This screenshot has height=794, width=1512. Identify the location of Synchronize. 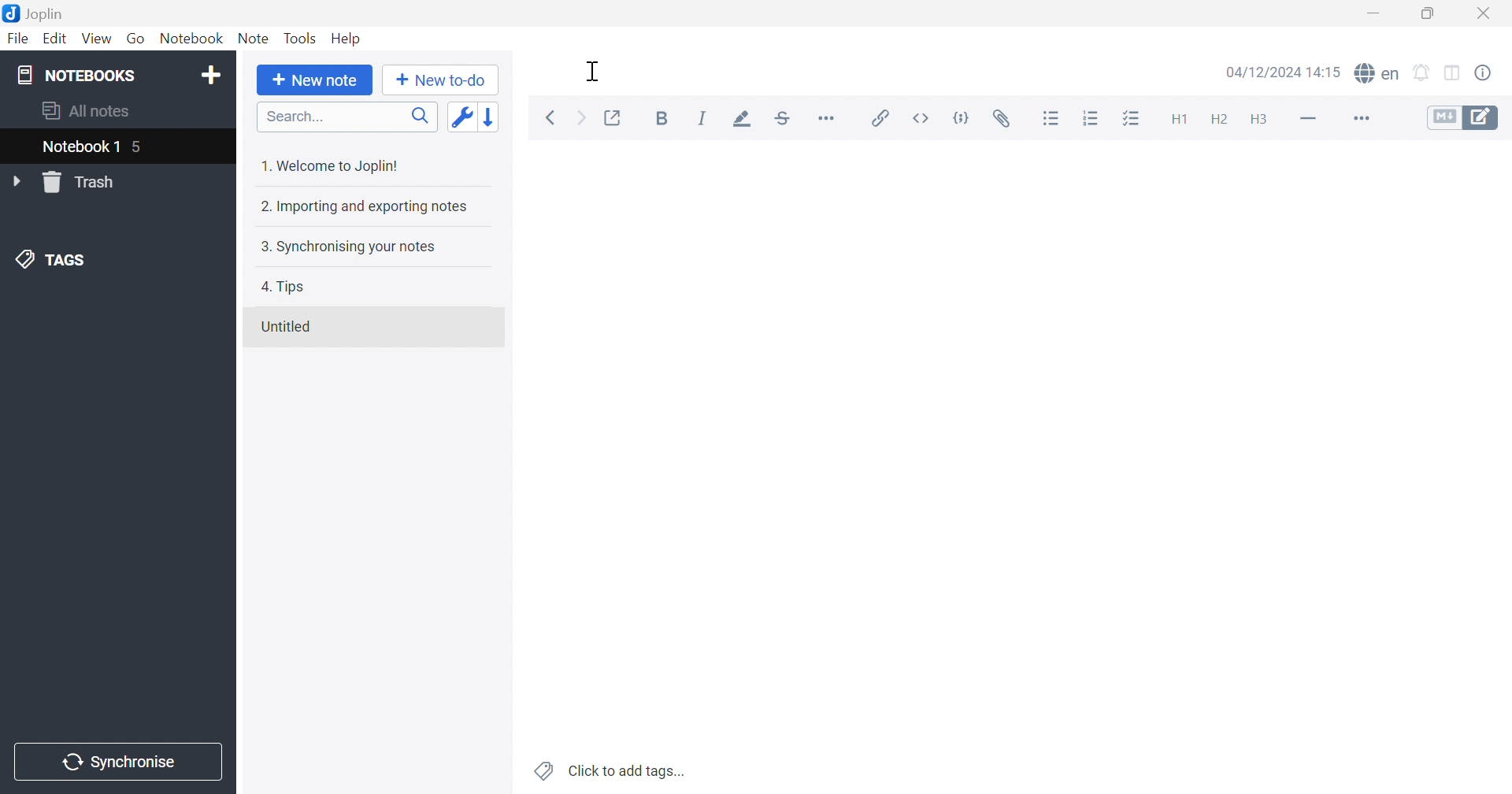
(121, 762).